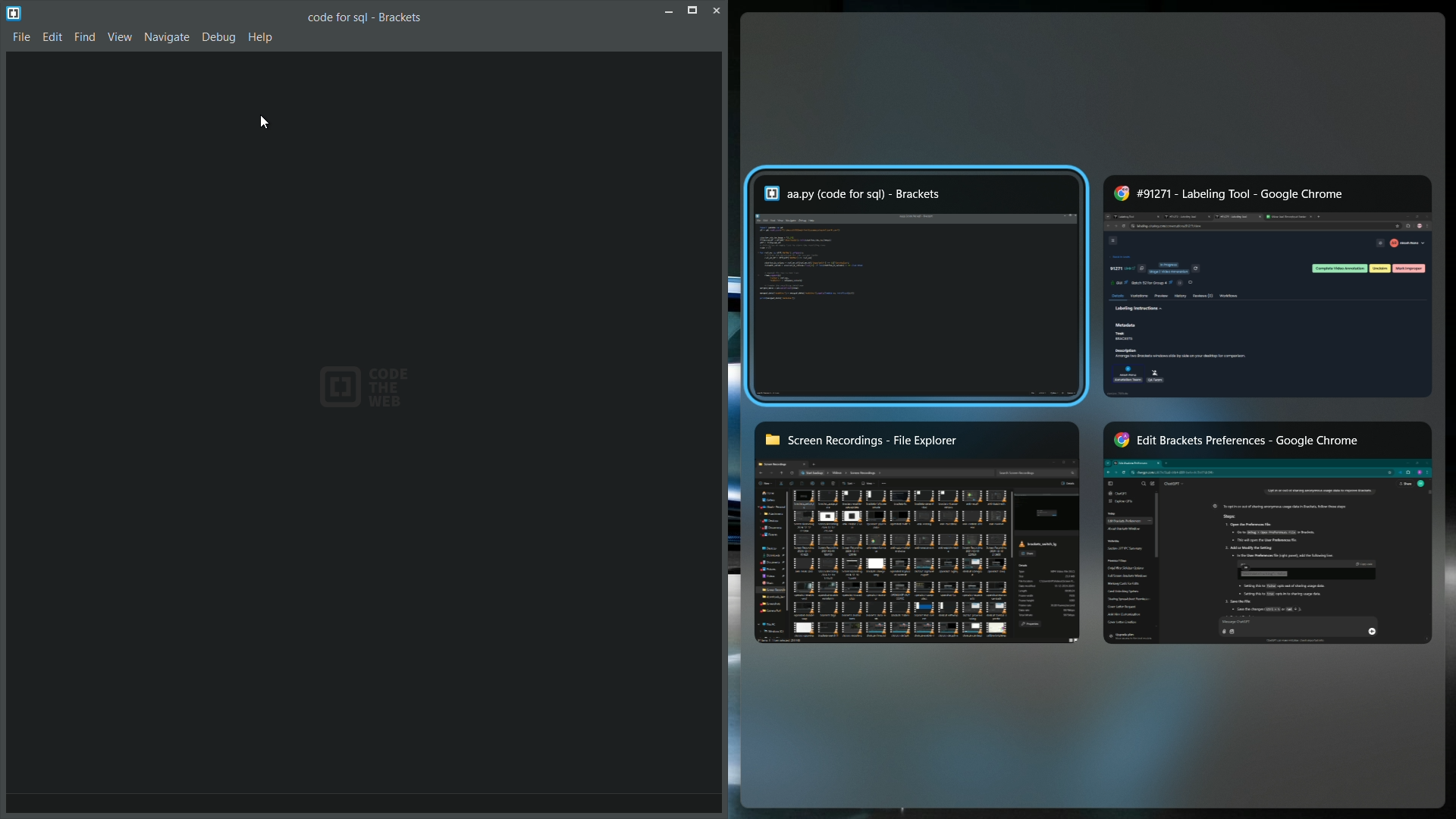 The height and width of the screenshot is (819, 1456). Describe the element at coordinates (1266, 534) in the screenshot. I see `google chrome another window` at that location.